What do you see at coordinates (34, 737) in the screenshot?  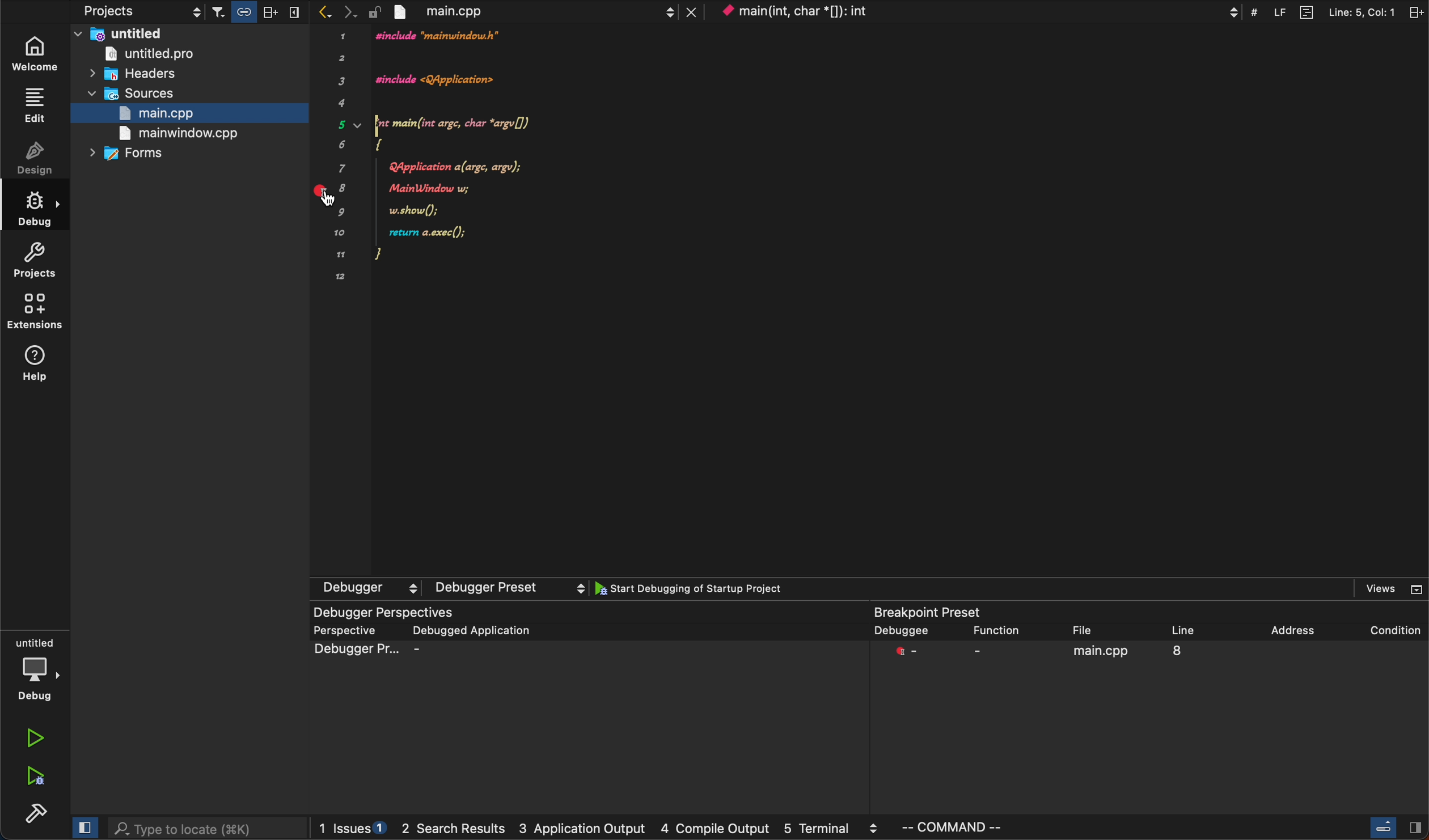 I see `run` at bounding box center [34, 737].